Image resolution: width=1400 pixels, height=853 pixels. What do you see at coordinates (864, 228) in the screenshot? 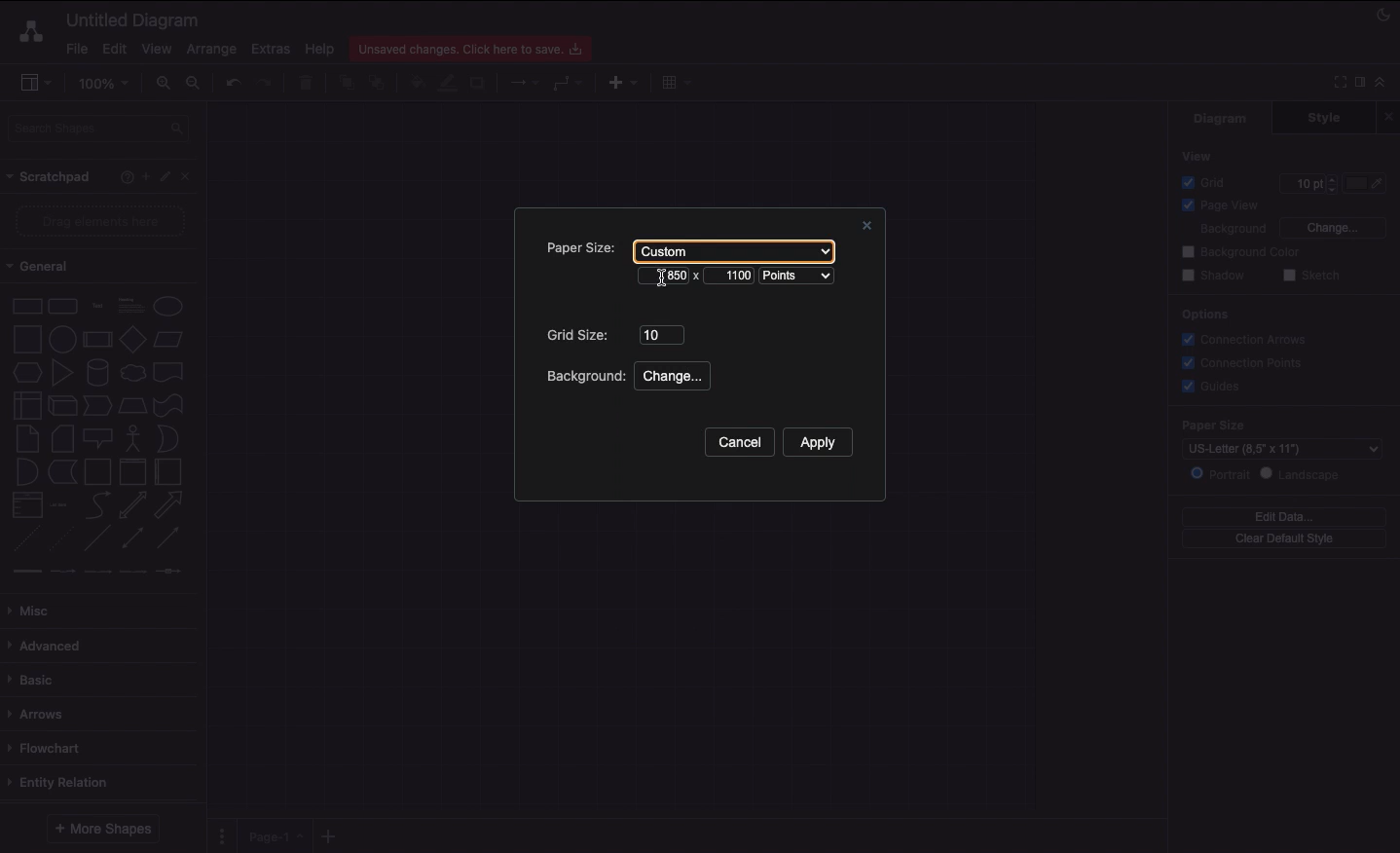
I see `Close` at bounding box center [864, 228].